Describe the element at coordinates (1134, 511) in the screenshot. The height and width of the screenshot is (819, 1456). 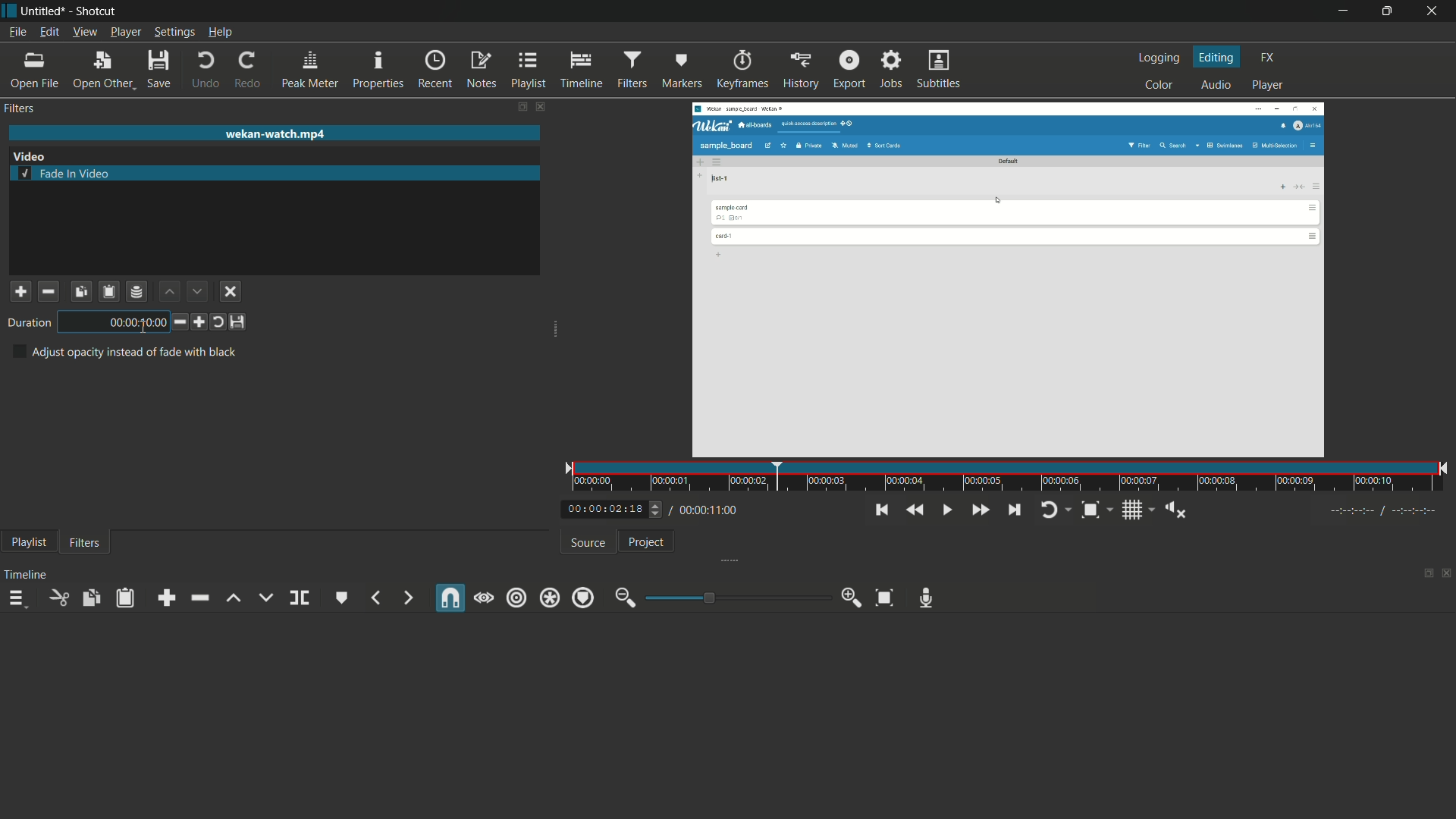
I see `toggle grid` at that location.